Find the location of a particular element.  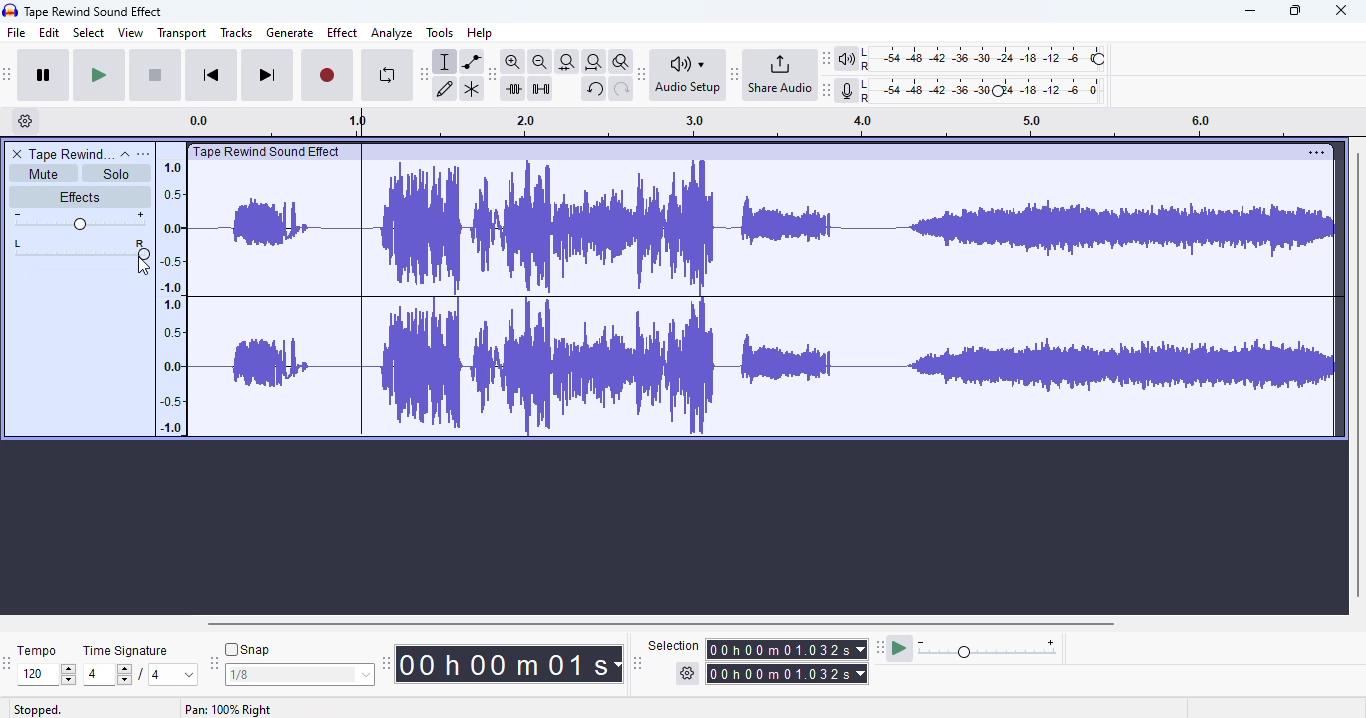

trim audio outside selection is located at coordinates (516, 89).